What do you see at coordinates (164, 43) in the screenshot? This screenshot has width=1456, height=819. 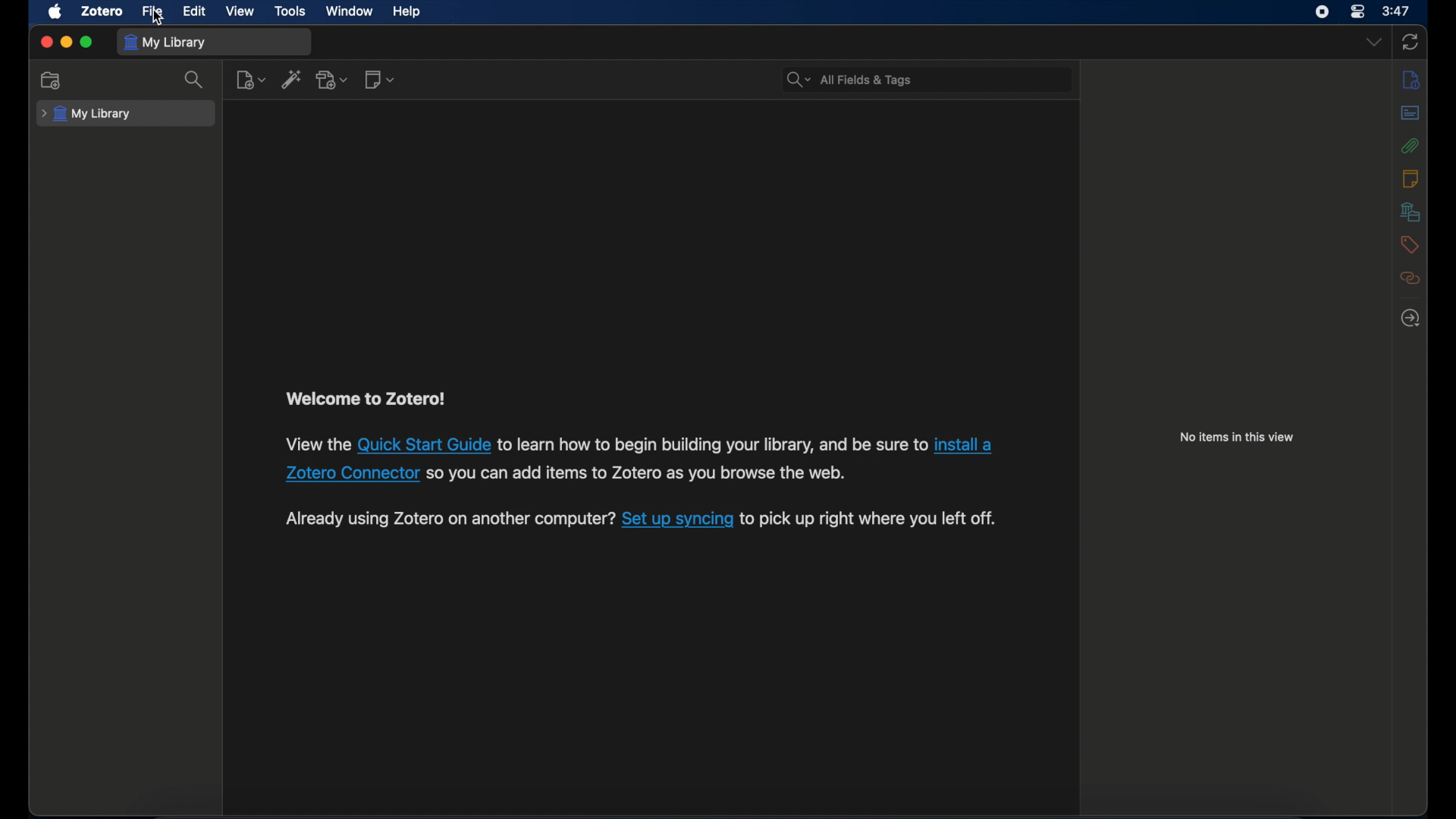 I see `my library` at bounding box center [164, 43].